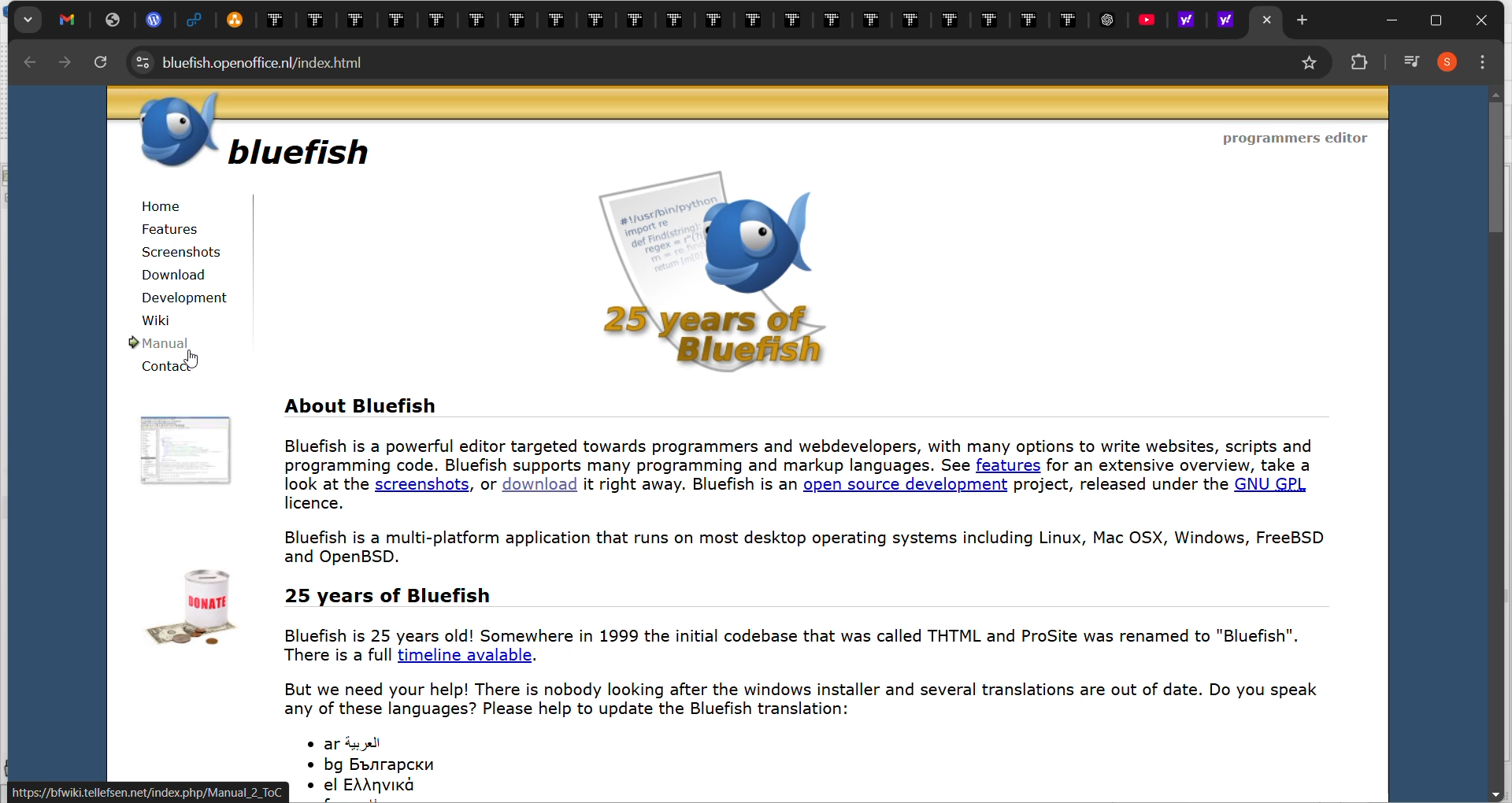 Image resolution: width=1512 pixels, height=803 pixels. What do you see at coordinates (1456, 62) in the screenshot?
I see `profile` at bounding box center [1456, 62].